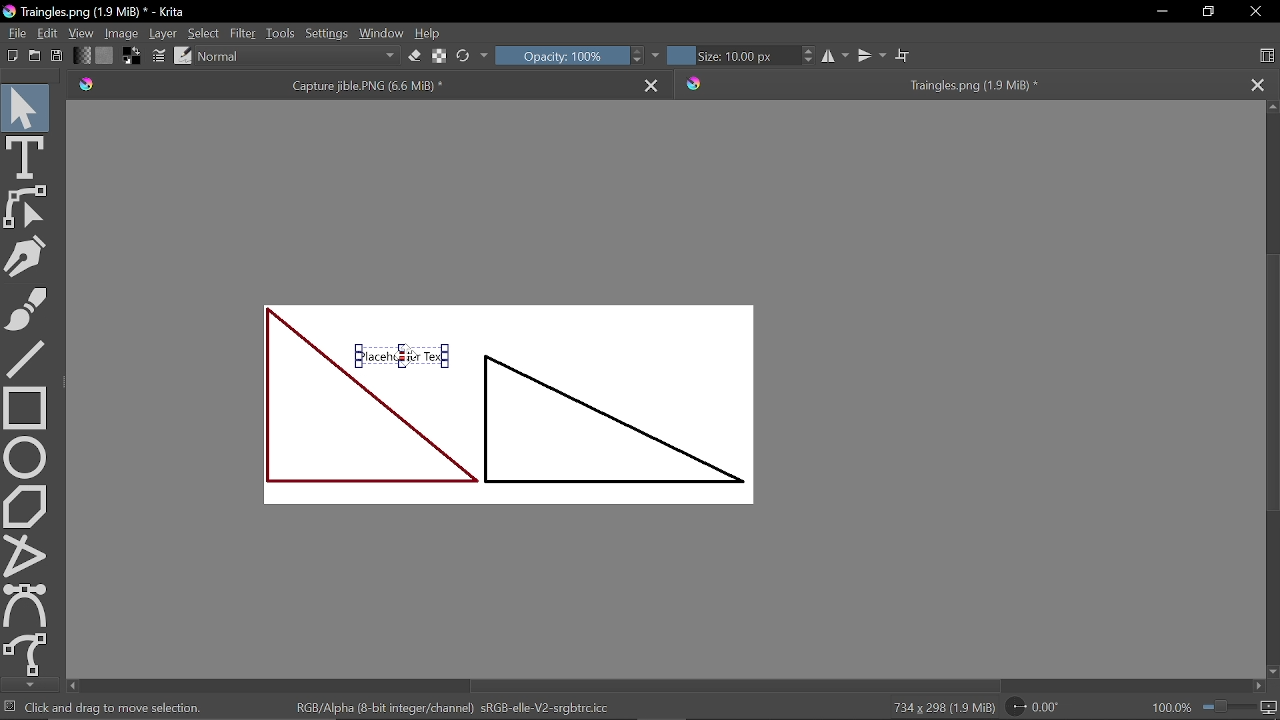 The height and width of the screenshot is (720, 1280). What do you see at coordinates (28, 358) in the screenshot?
I see `Line tool` at bounding box center [28, 358].